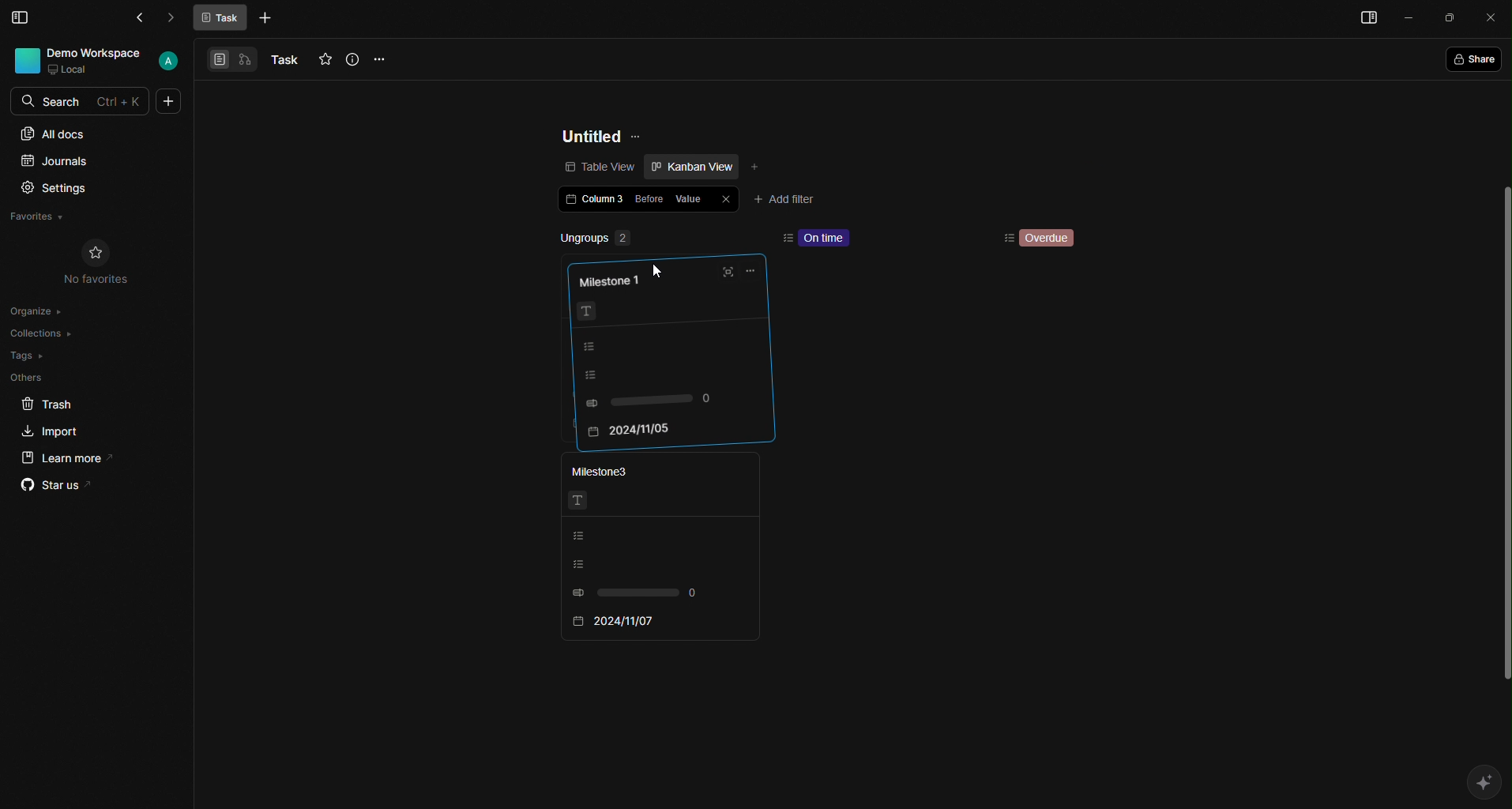  Describe the element at coordinates (591, 339) in the screenshot. I see `Listing` at that location.